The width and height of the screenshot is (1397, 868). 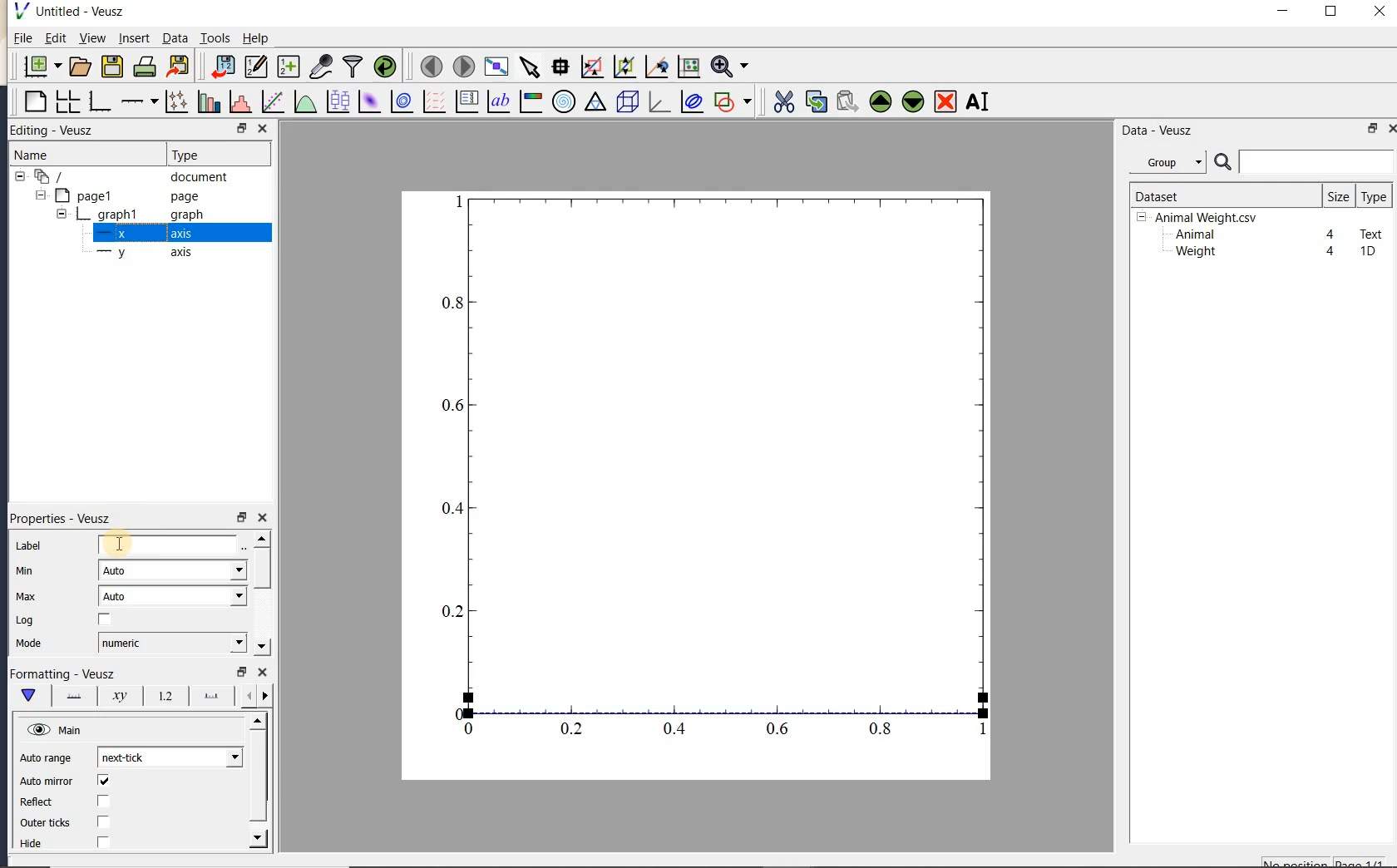 What do you see at coordinates (102, 841) in the screenshot?
I see `check/uncheck` at bounding box center [102, 841].